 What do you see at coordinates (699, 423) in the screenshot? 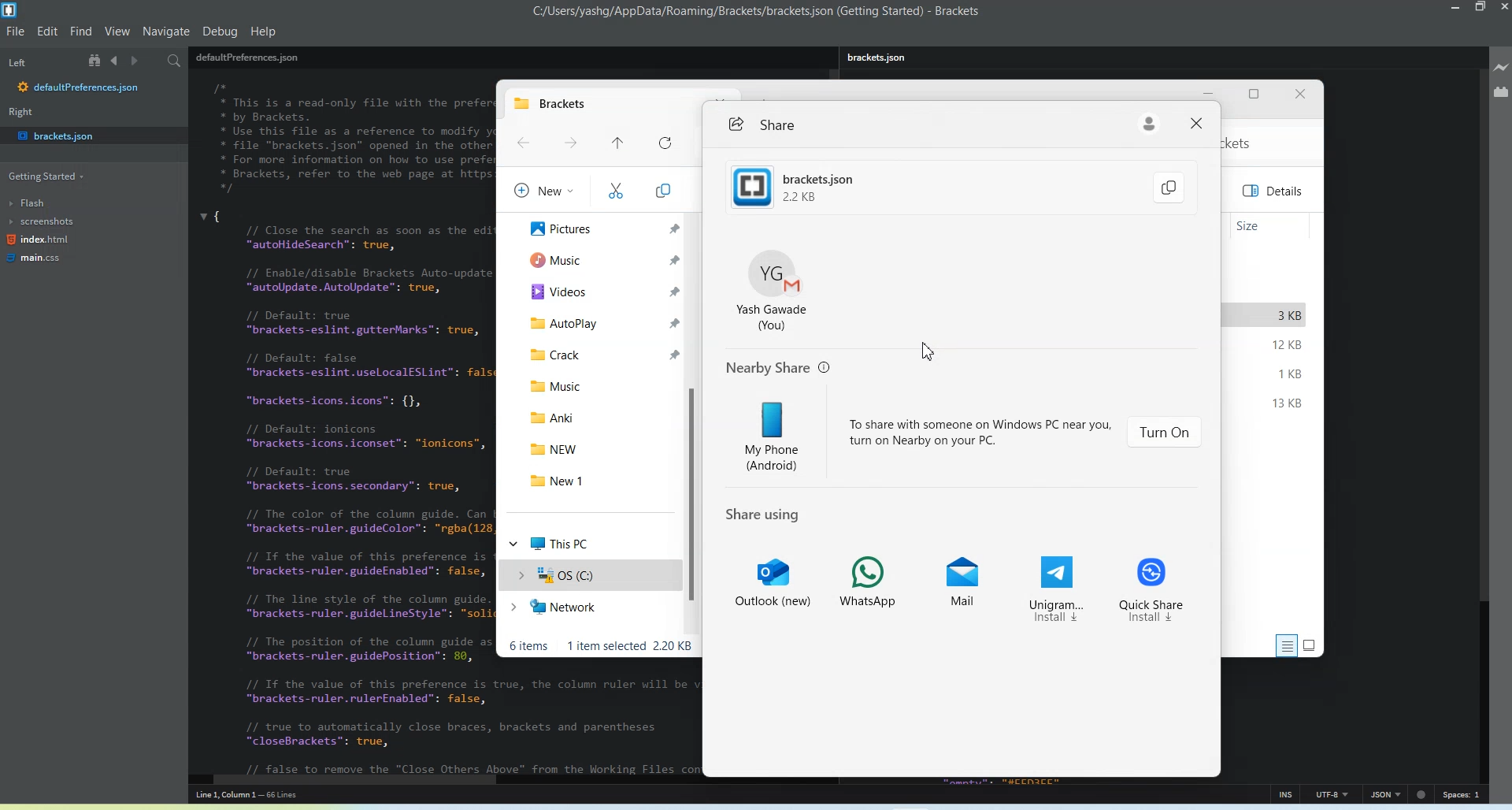
I see `Vertical scroll bar` at bounding box center [699, 423].